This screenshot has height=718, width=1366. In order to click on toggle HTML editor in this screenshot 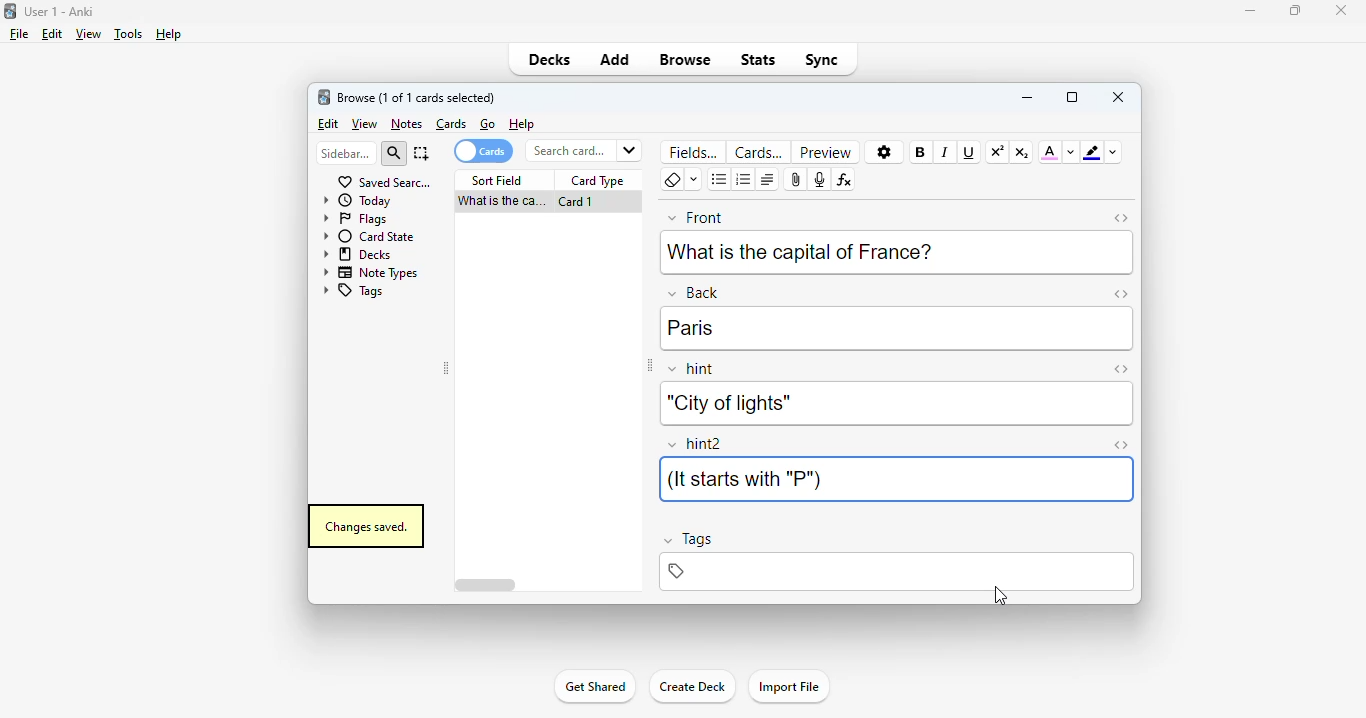, I will do `click(1120, 369)`.